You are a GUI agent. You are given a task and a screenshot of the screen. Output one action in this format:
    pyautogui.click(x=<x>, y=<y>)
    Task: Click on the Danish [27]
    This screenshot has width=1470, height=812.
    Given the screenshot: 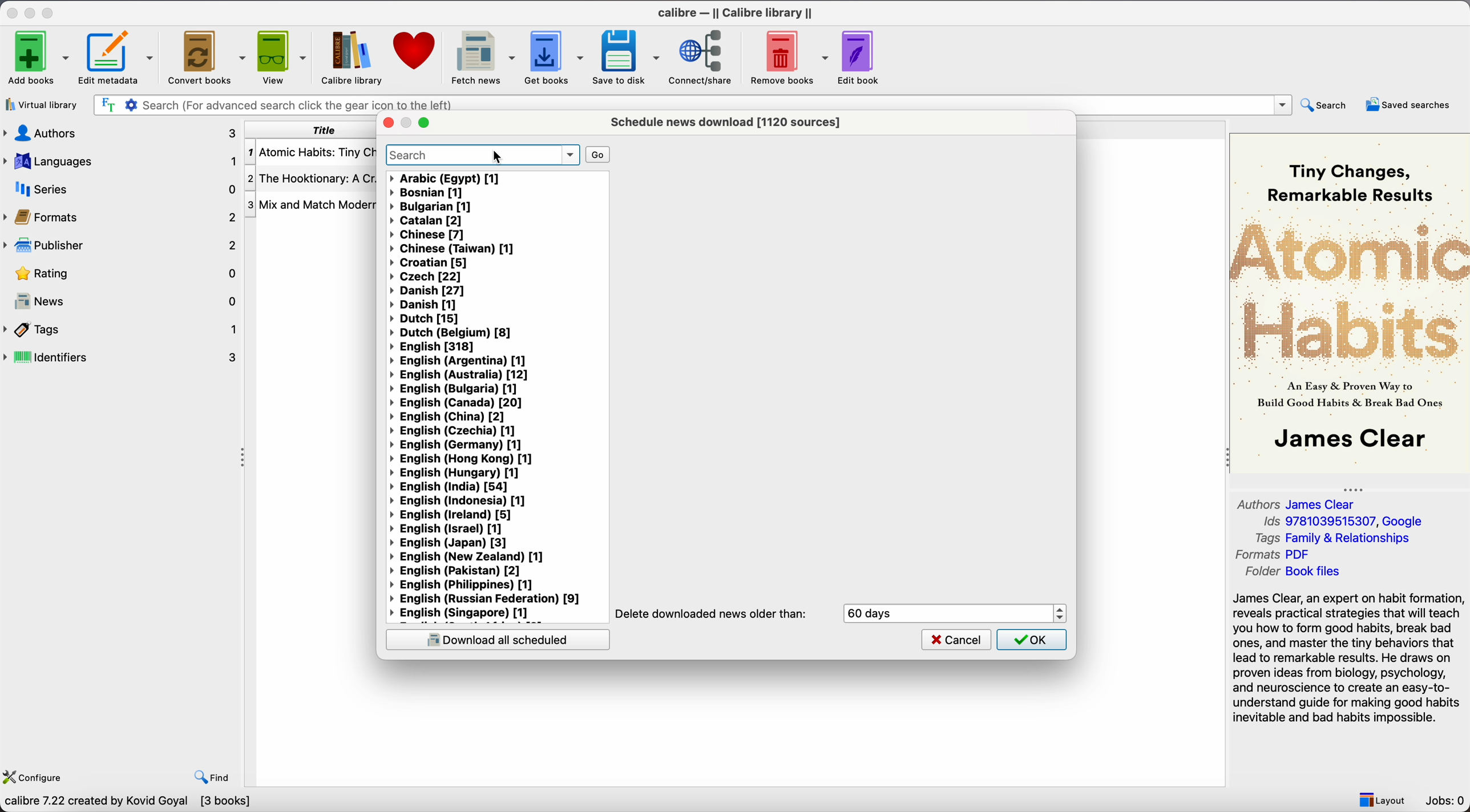 What is the action you would take?
    pyautogui.click(x=431, y=292)
    